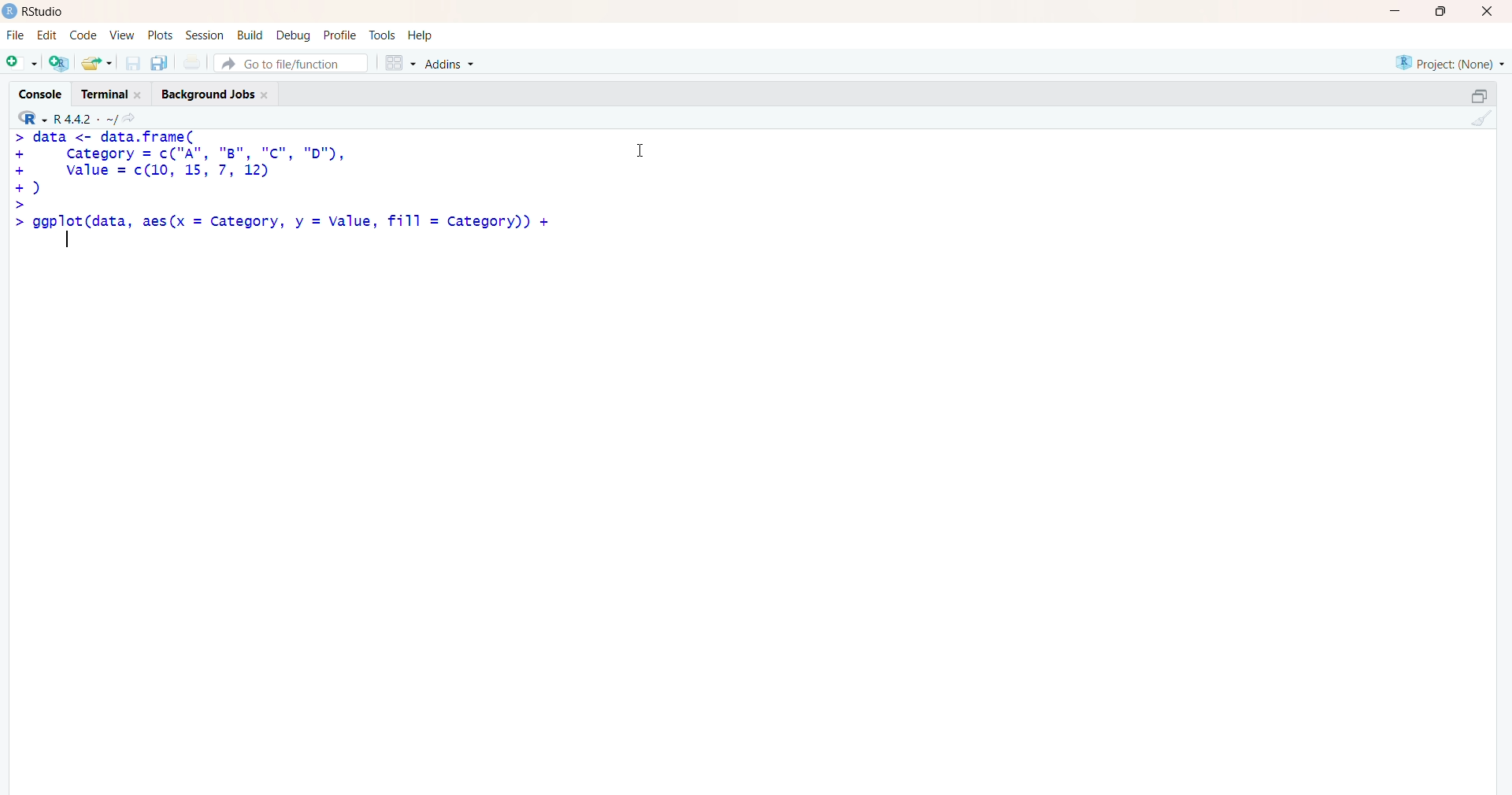 Image resolution: width=1512 pixels, height=795 pixels. I want to click on Rstudio, so click(48, 12).